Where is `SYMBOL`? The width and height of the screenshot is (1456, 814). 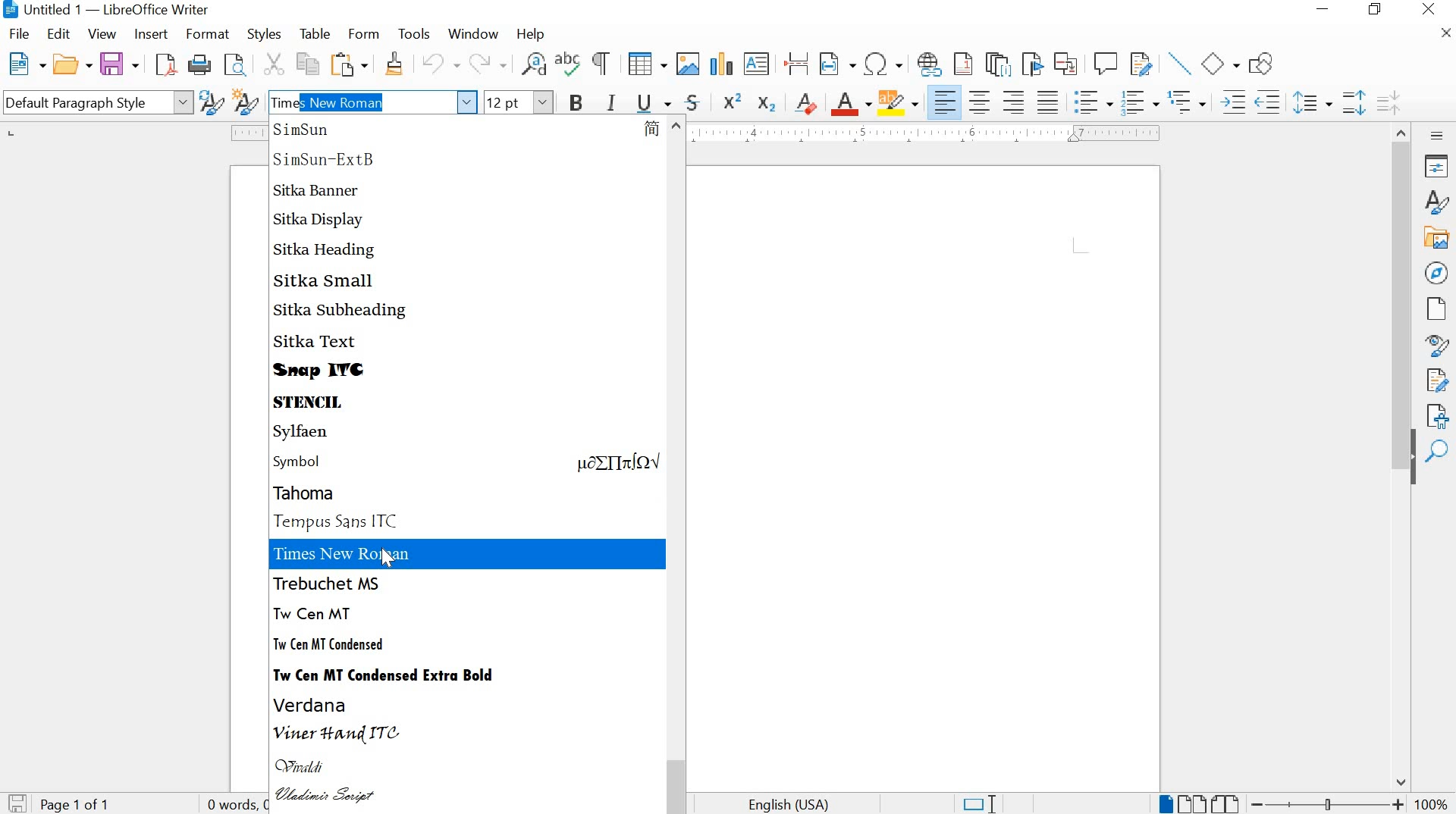
SYMBOL is located at coordinates (467, 462).